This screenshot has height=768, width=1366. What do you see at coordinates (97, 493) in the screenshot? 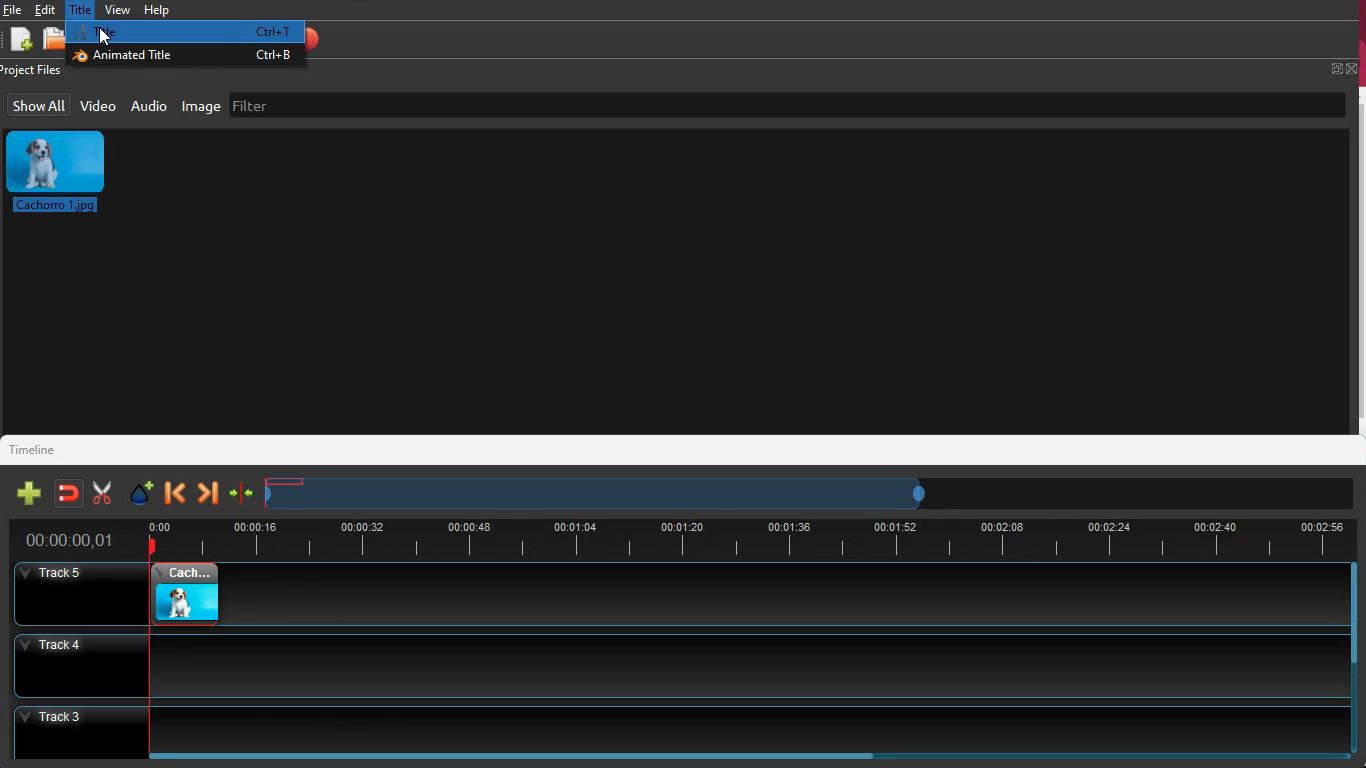
I see `cut` at bounding box center [97, 493].